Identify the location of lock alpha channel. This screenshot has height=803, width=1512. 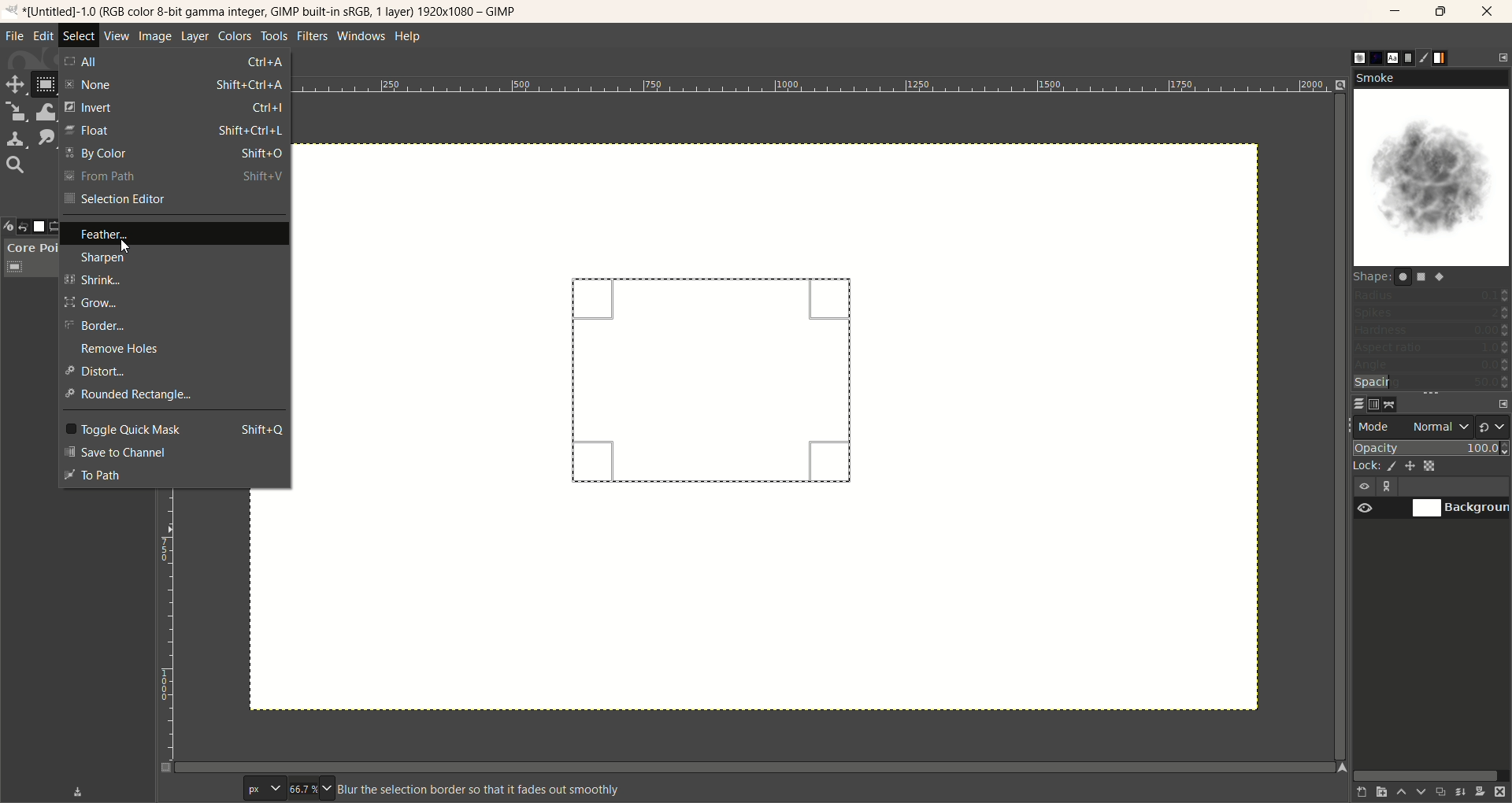
(1429, 466).